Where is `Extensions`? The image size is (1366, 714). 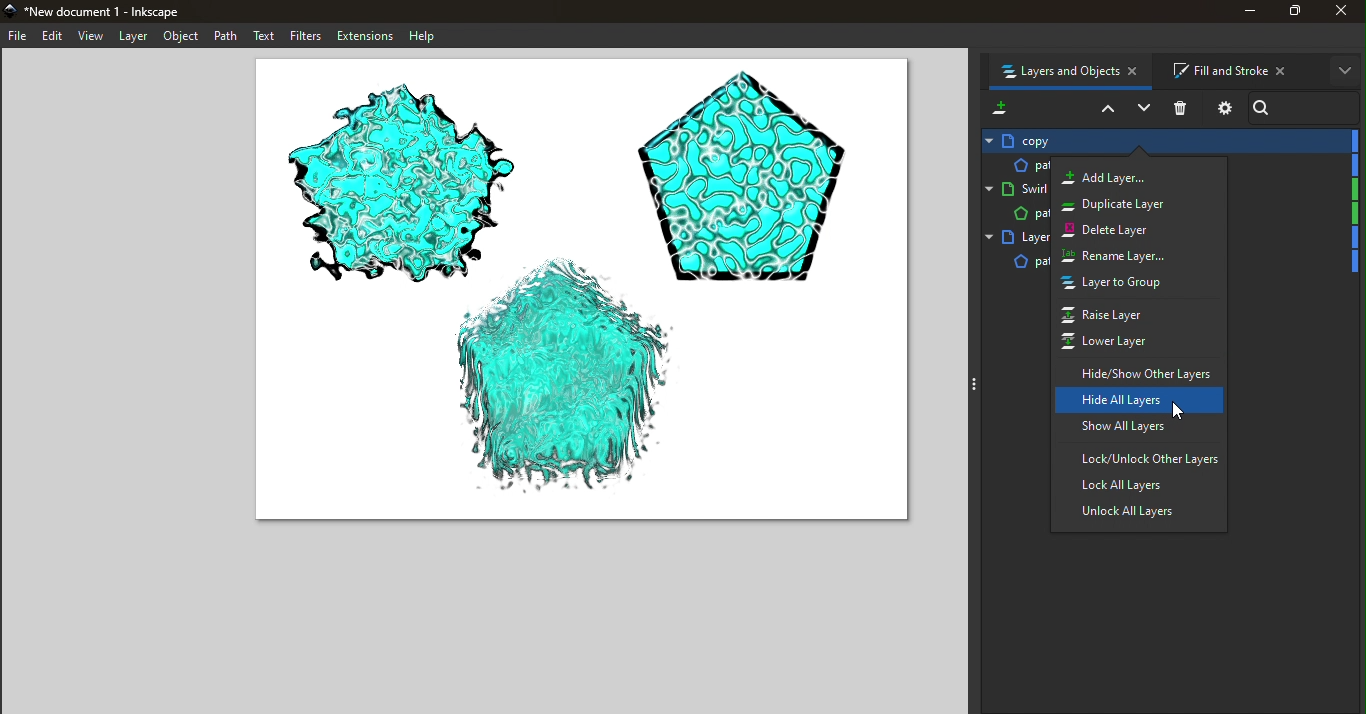 Extensions is located at coordinates (363, 35).